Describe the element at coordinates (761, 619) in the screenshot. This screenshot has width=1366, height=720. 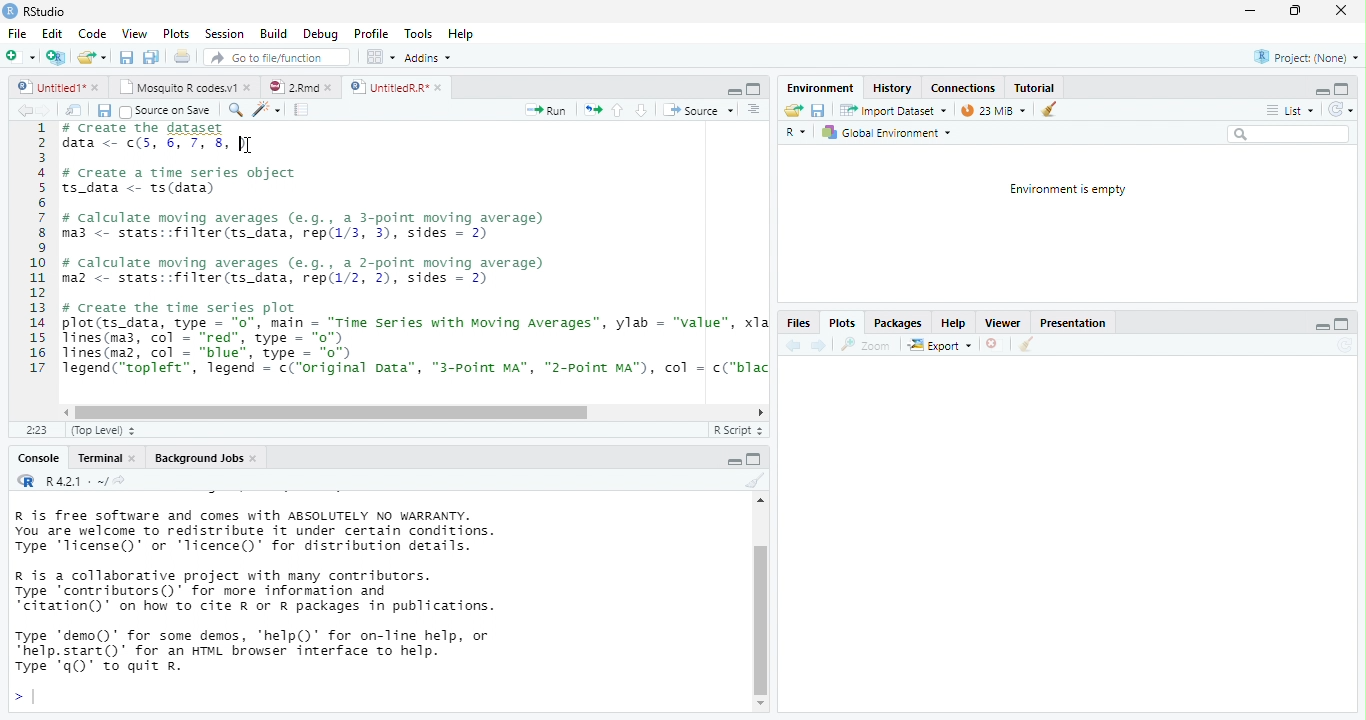
I see `vertical scrollbar` at that location.